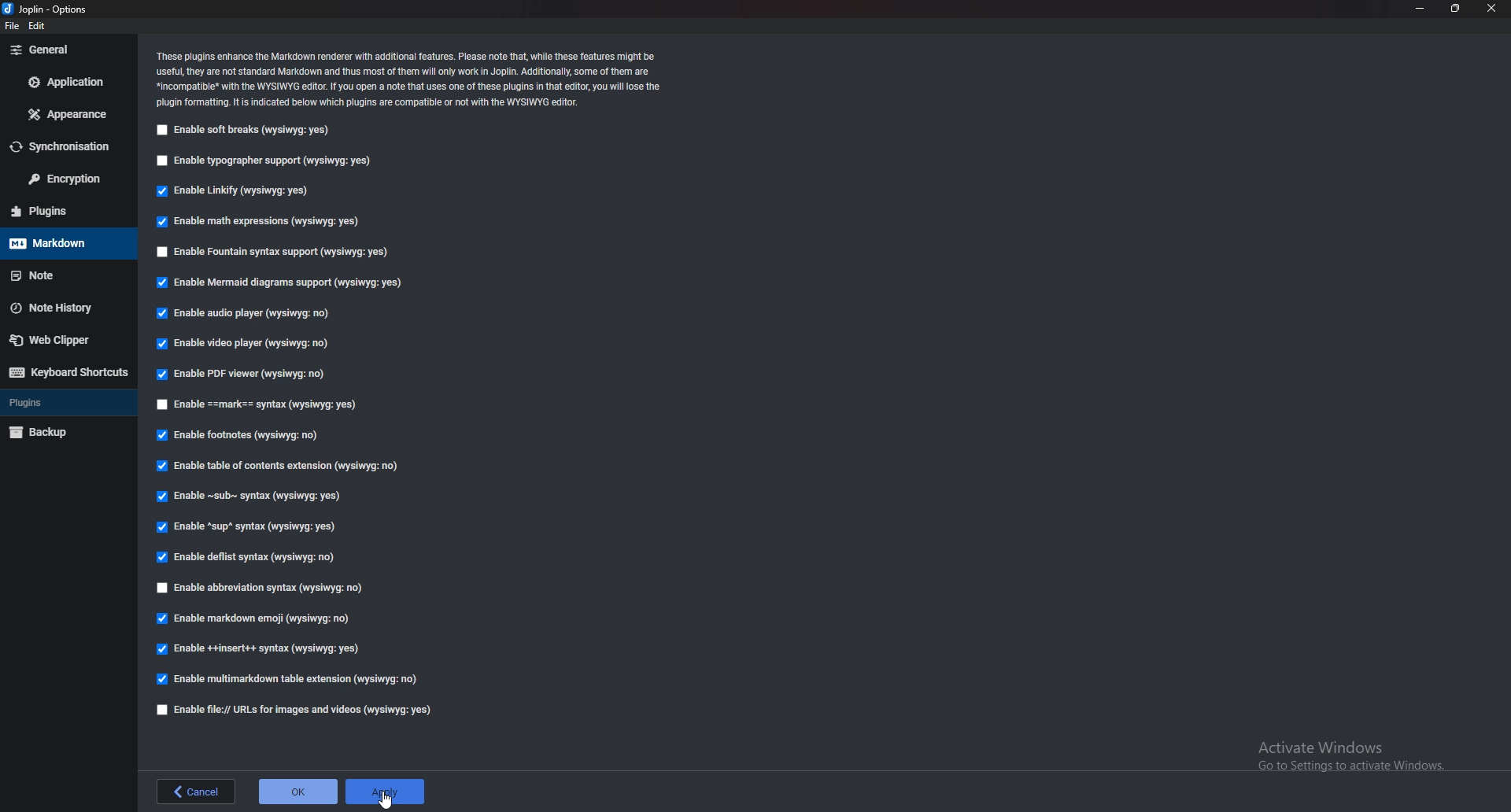 This screenshot has width=1511, height=812. Describe the element at coordinates (296, 710) in the screenshot. I see `Enable file urls for images and videos` at that location.